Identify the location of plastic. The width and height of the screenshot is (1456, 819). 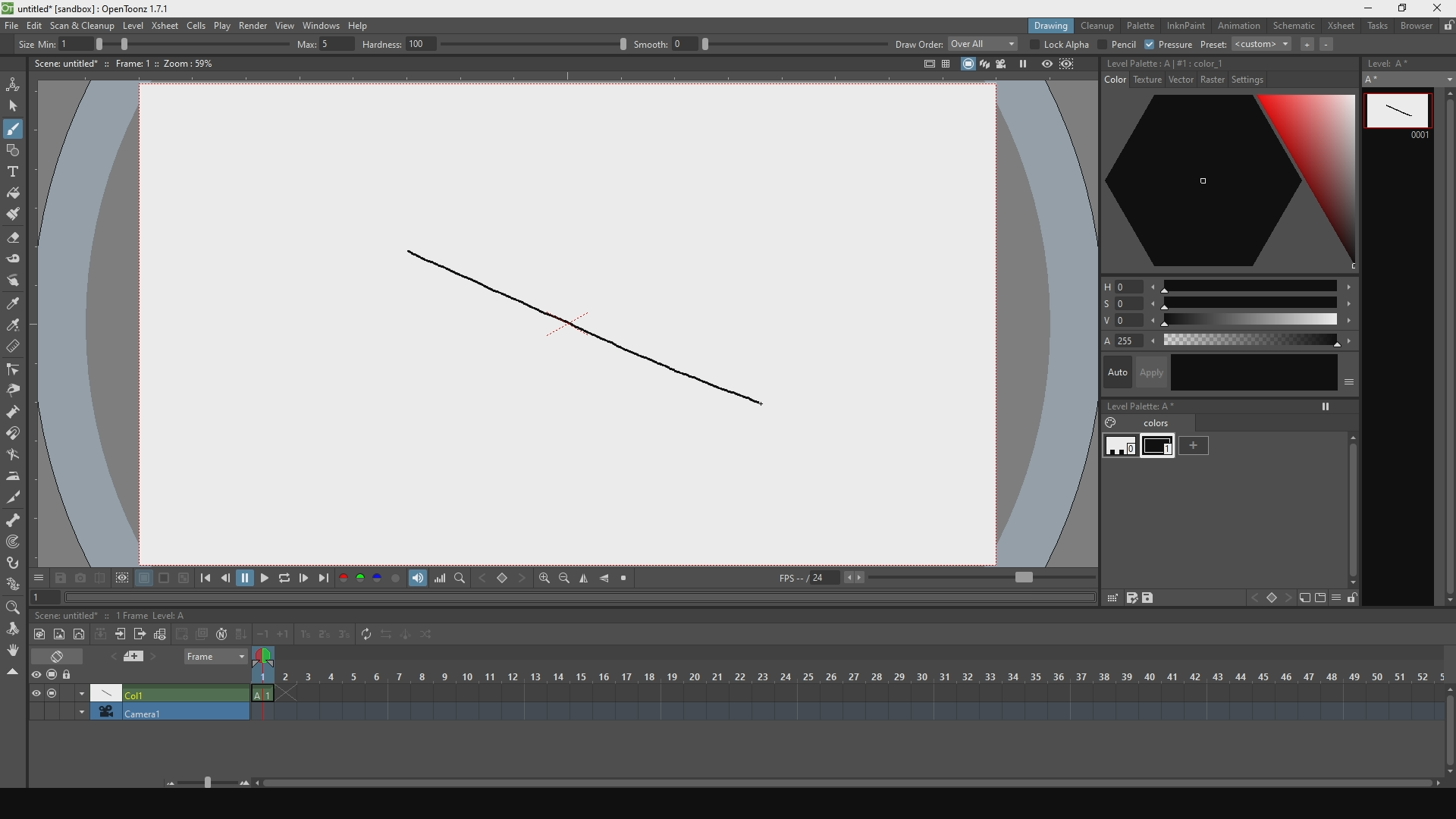
(14, 586).